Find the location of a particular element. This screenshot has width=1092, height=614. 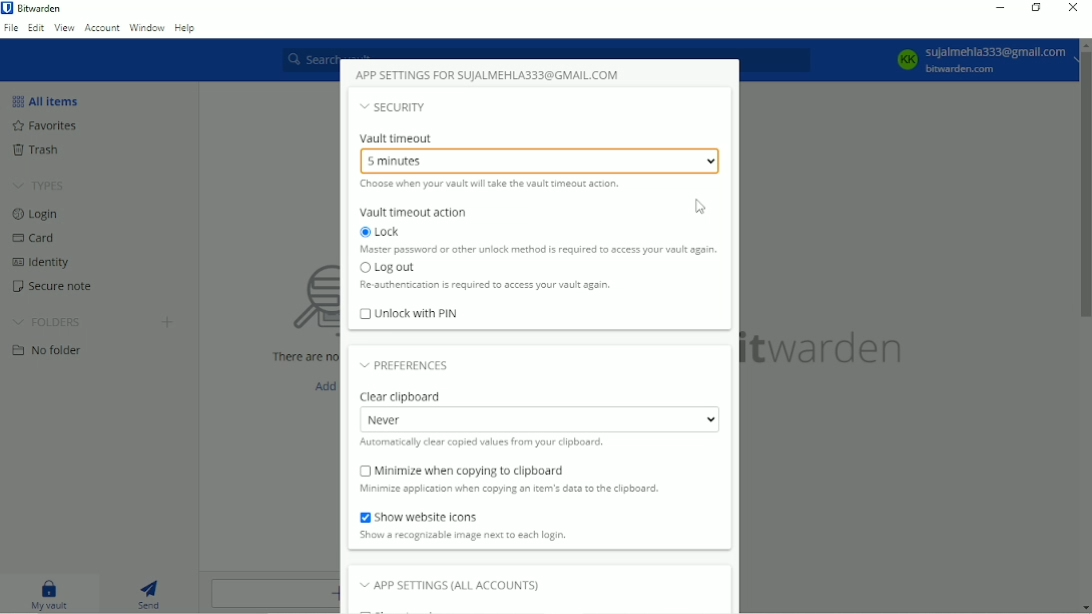

Minimize when copying to clipboard is located at coordinates (462, 470).